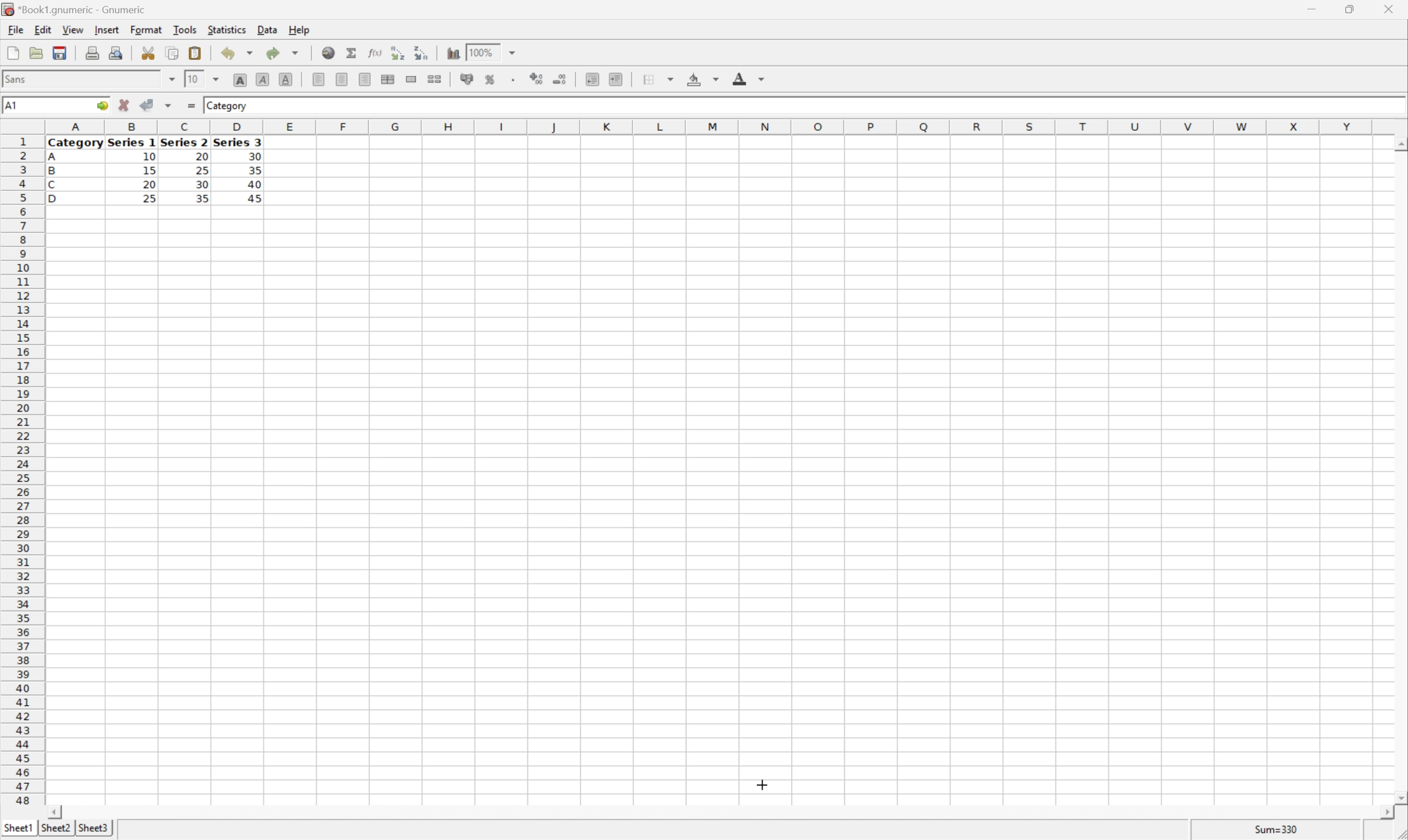 This screenshot has height=840, width=1408. What do you see at coordinates (185, 29) in the screenshot?
I see `Tools` at bounding box center [185, 29].